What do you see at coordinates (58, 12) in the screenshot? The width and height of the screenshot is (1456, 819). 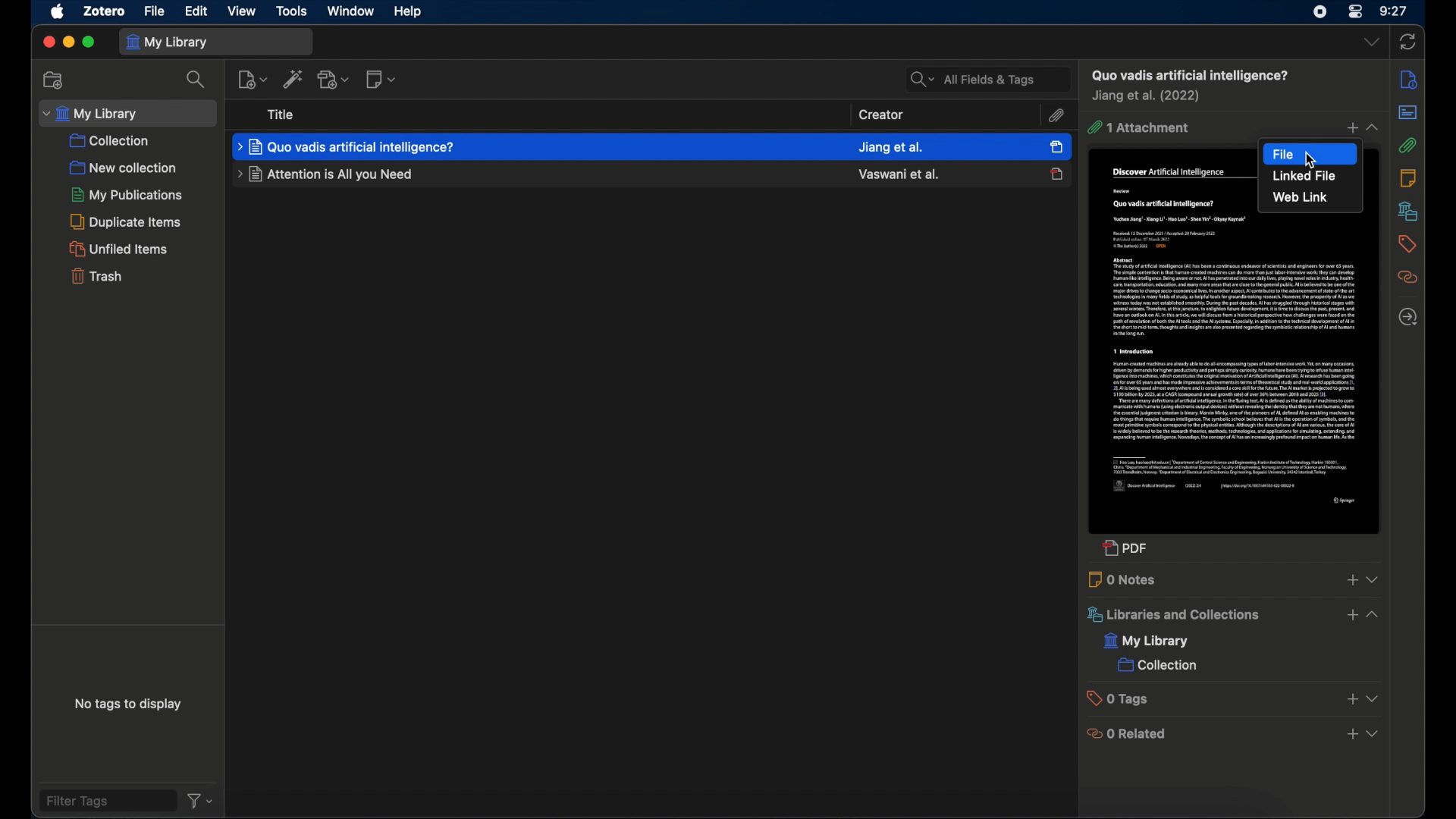 I see `apple icon` at bounding box center [58, 12].